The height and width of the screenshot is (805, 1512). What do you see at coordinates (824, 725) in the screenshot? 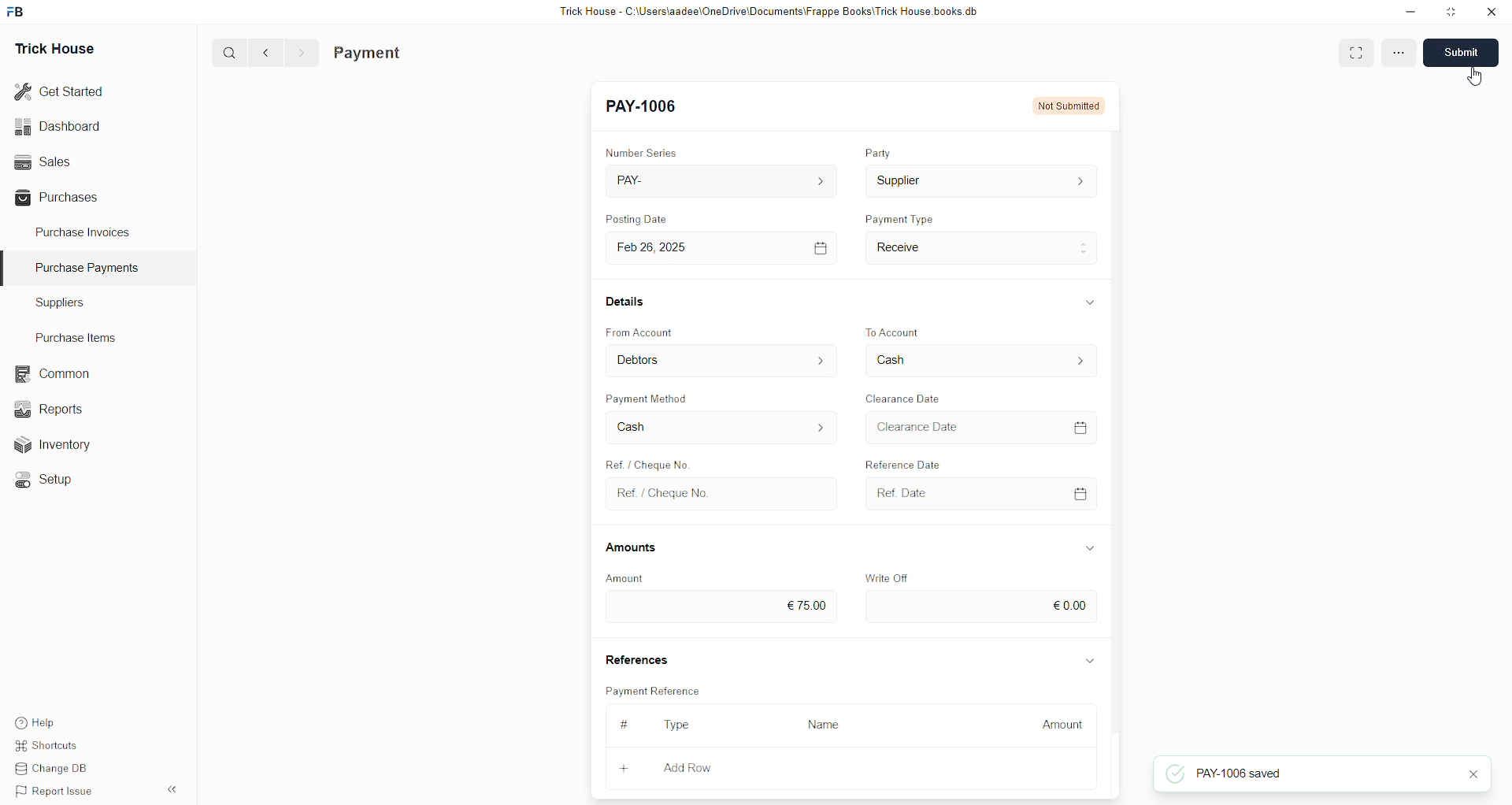
I see `Name` at bounding box center [824, 725].